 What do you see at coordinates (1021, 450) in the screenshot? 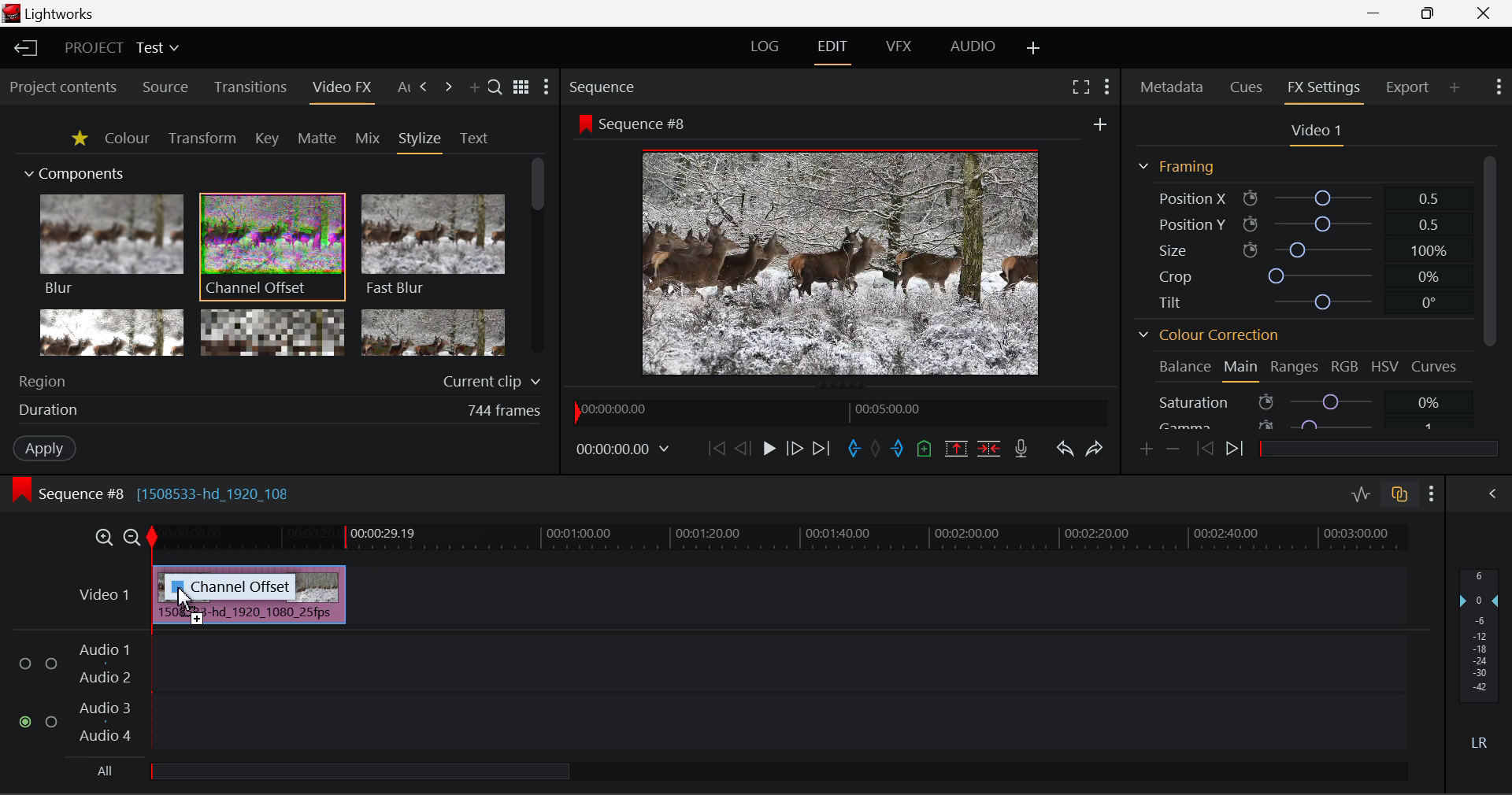
I see `Record Voiceover` at bounding box center [1021, 450].